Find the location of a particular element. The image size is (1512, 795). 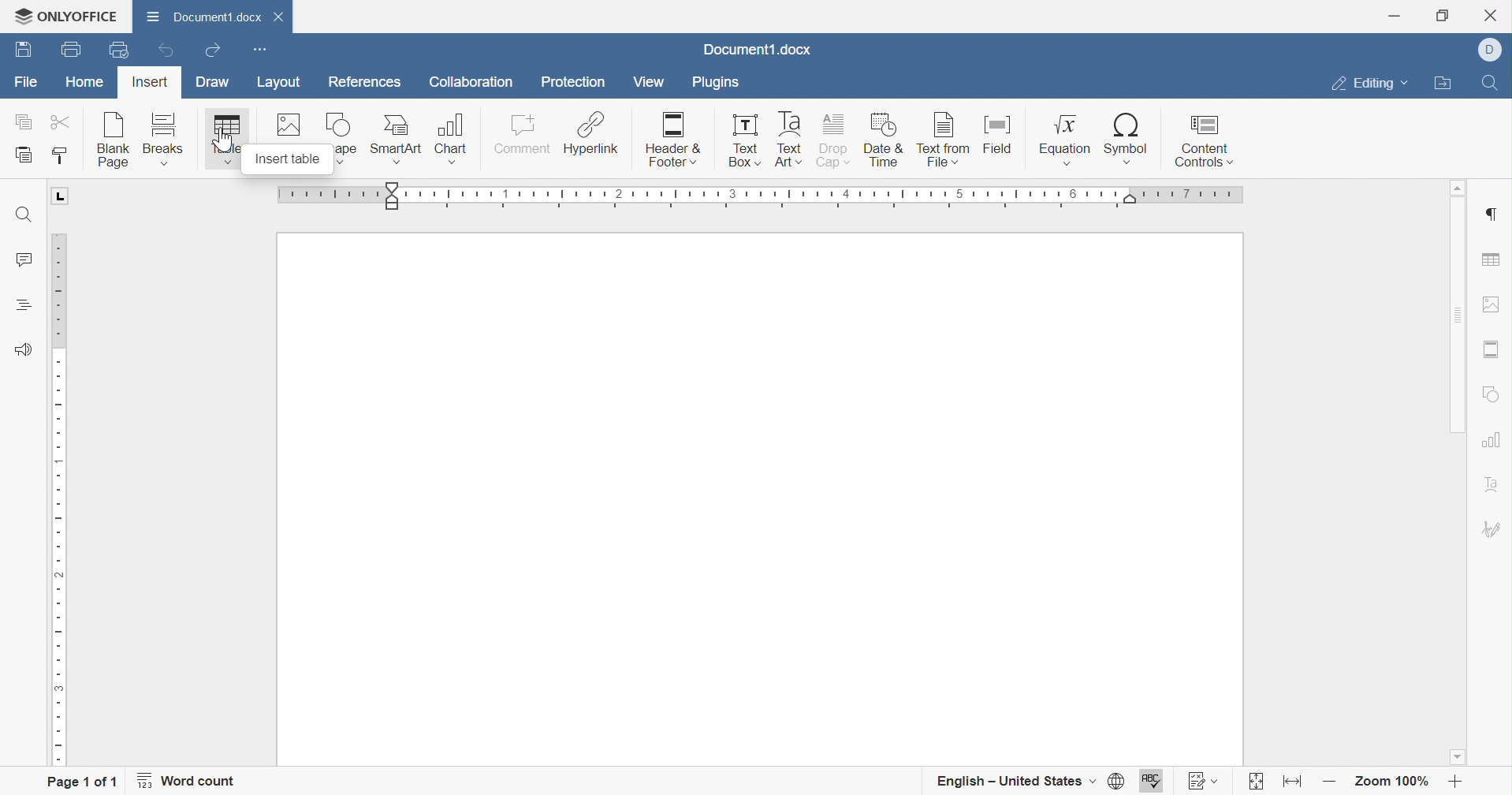

cursor is located at coordinates (234, 147).